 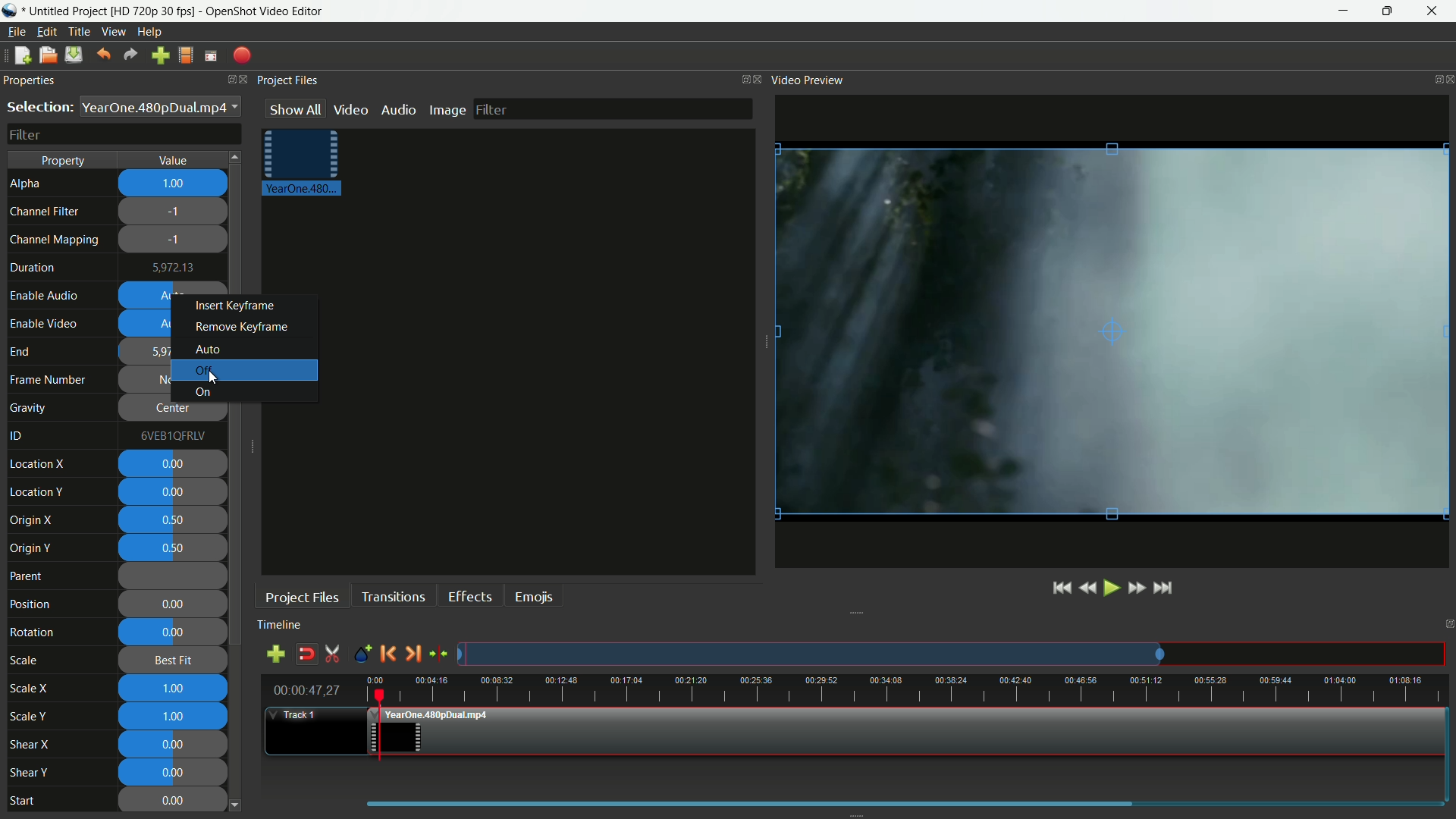 I want to click on 6VEB1QFRLV, so click(x=170, y=435).